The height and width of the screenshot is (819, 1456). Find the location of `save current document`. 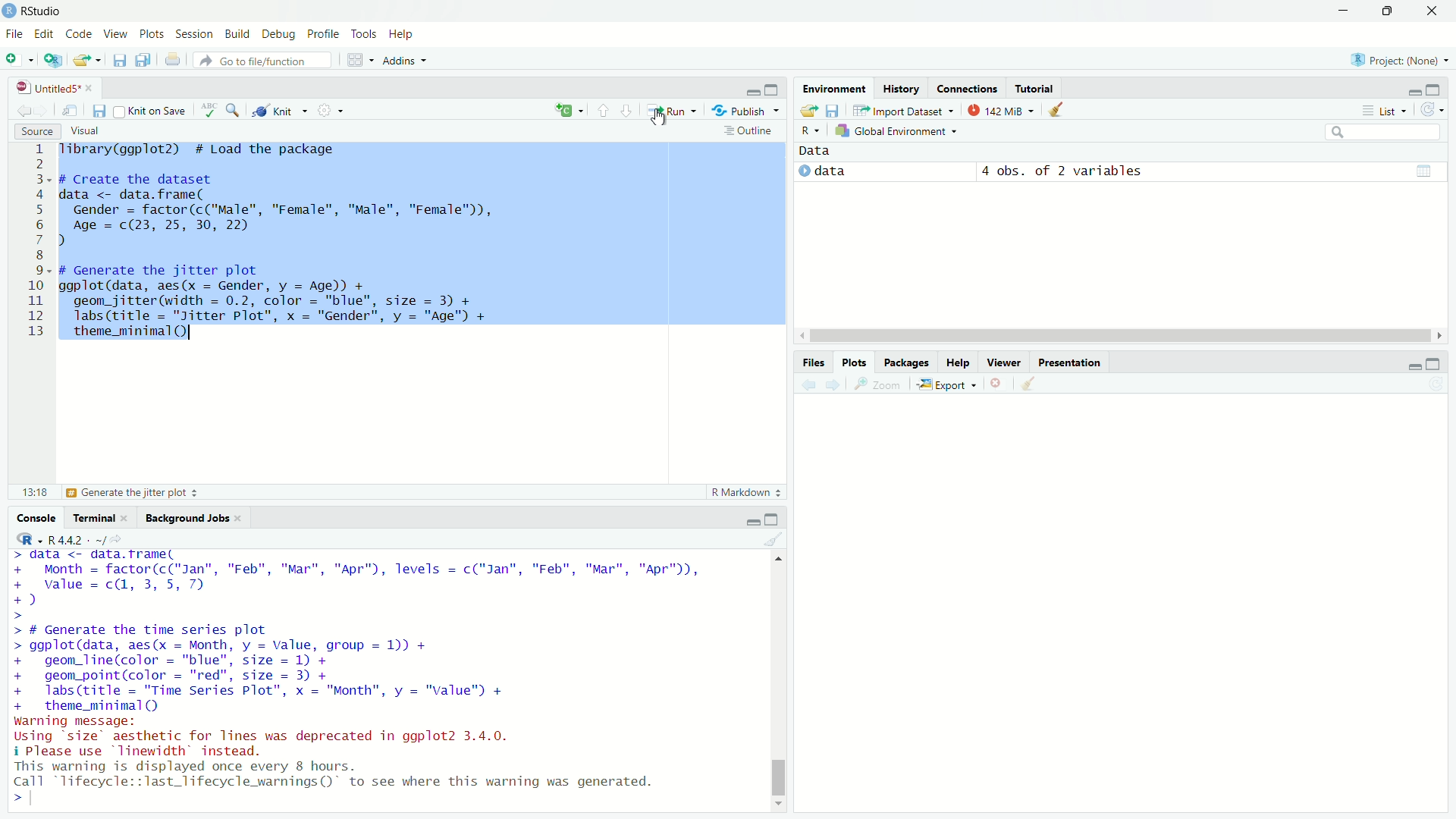

save current document is located at coordinates (120, 59).